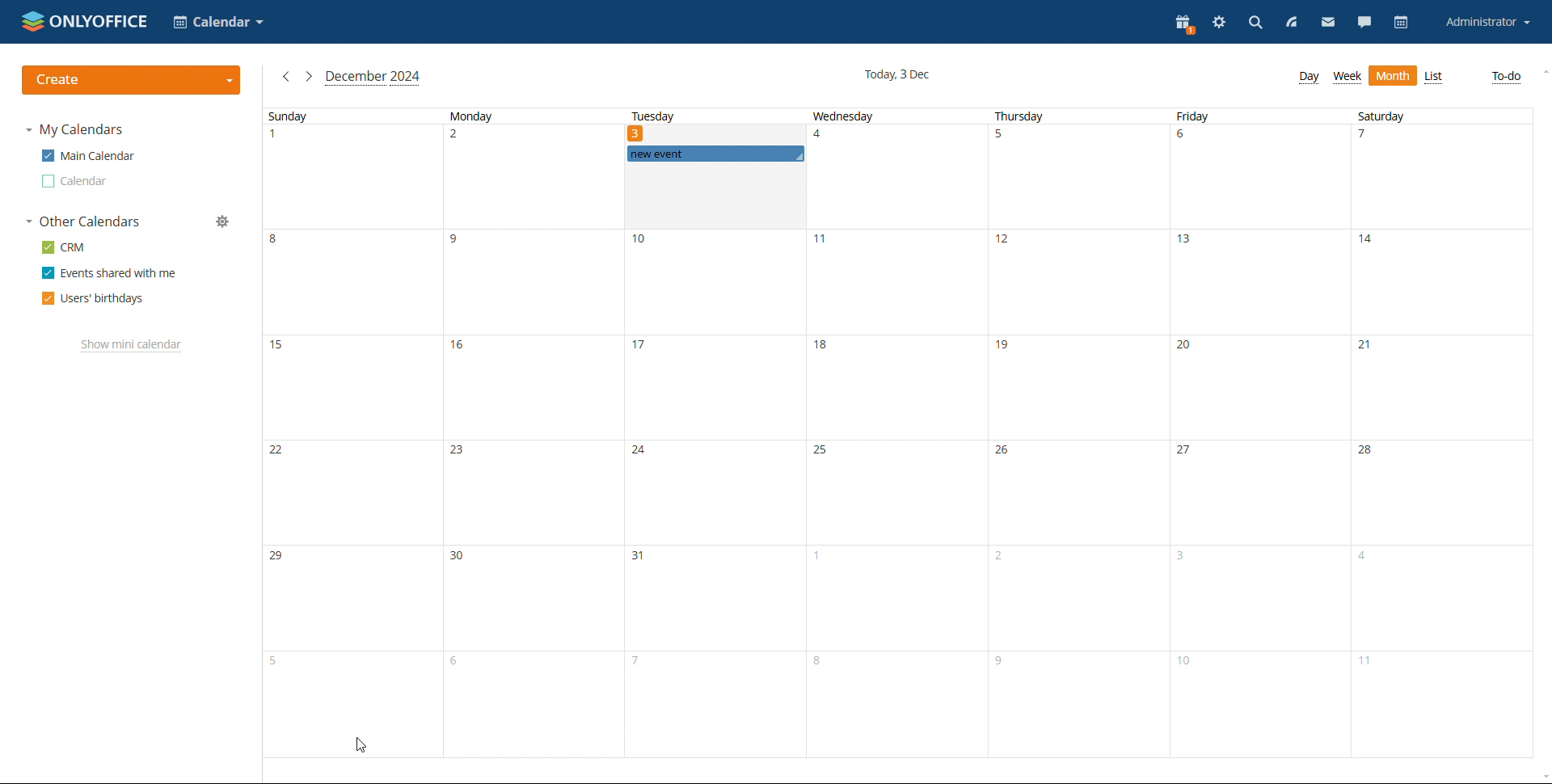 This screenshot has height=784, width=1552. I want to click on saturday, so click(1440, 433).